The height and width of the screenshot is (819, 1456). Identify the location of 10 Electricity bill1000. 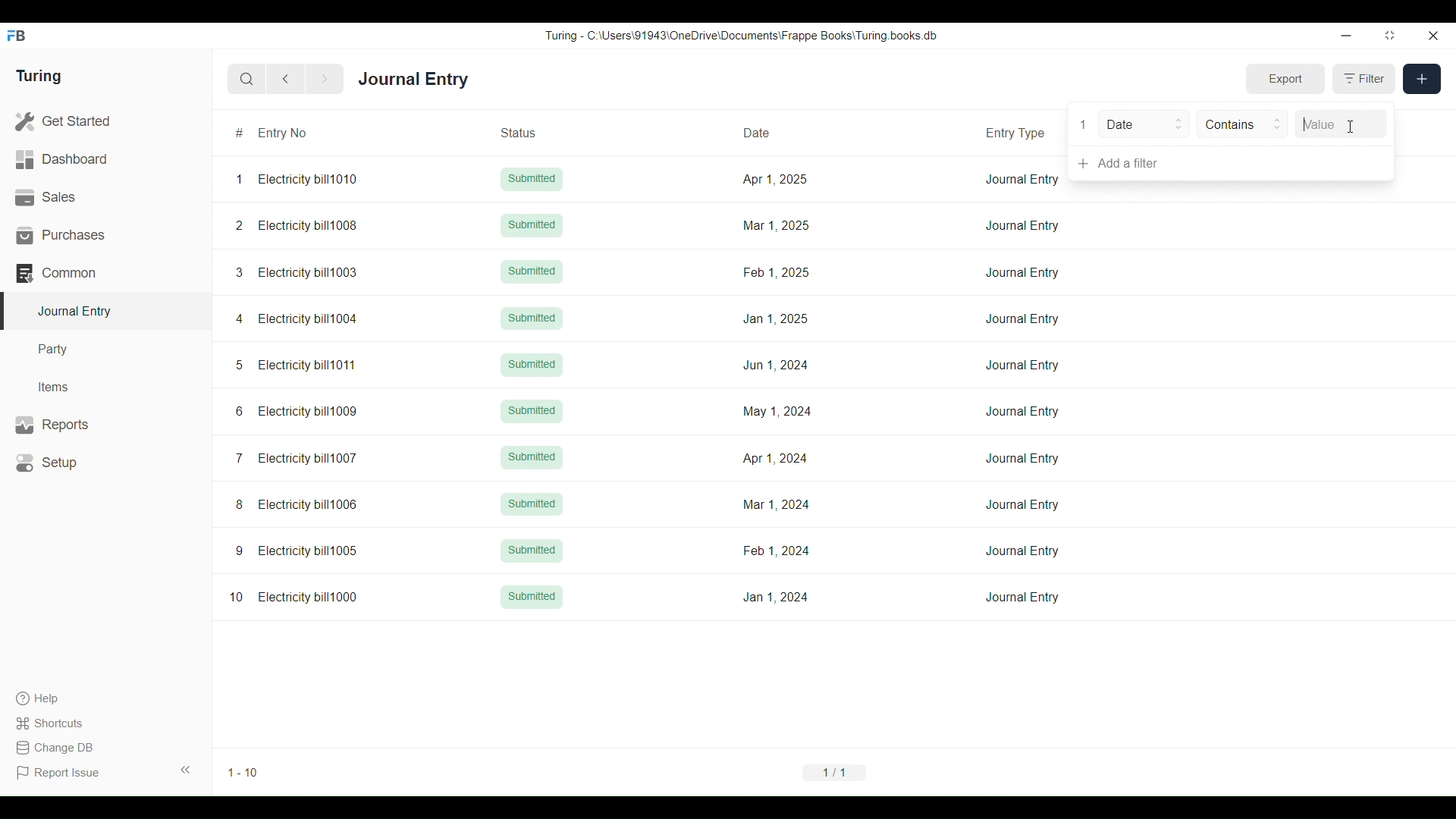
(294, 597).